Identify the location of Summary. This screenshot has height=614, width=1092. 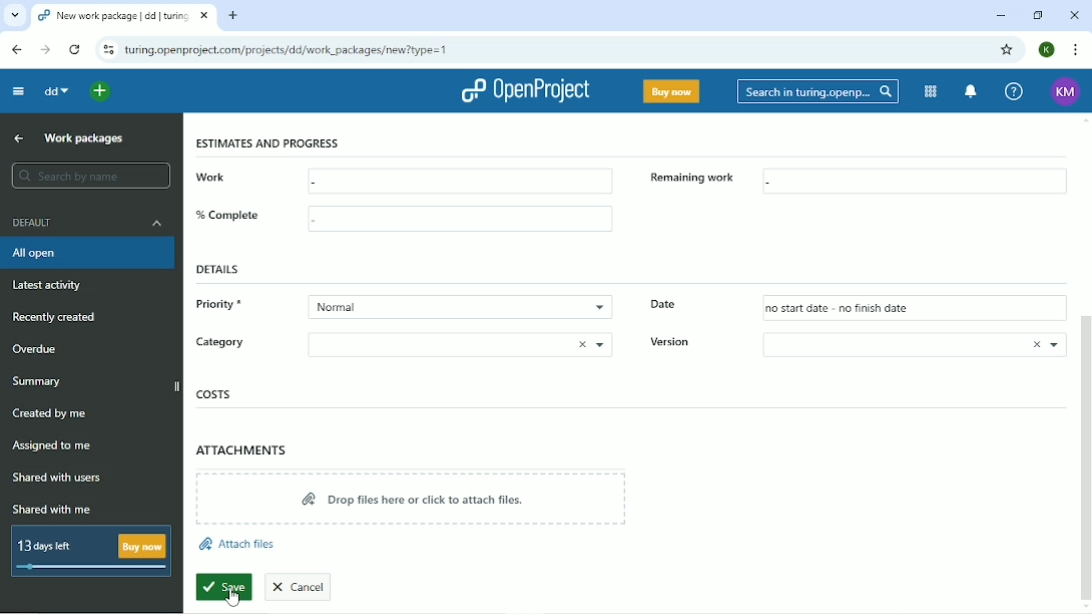
(37, 382).